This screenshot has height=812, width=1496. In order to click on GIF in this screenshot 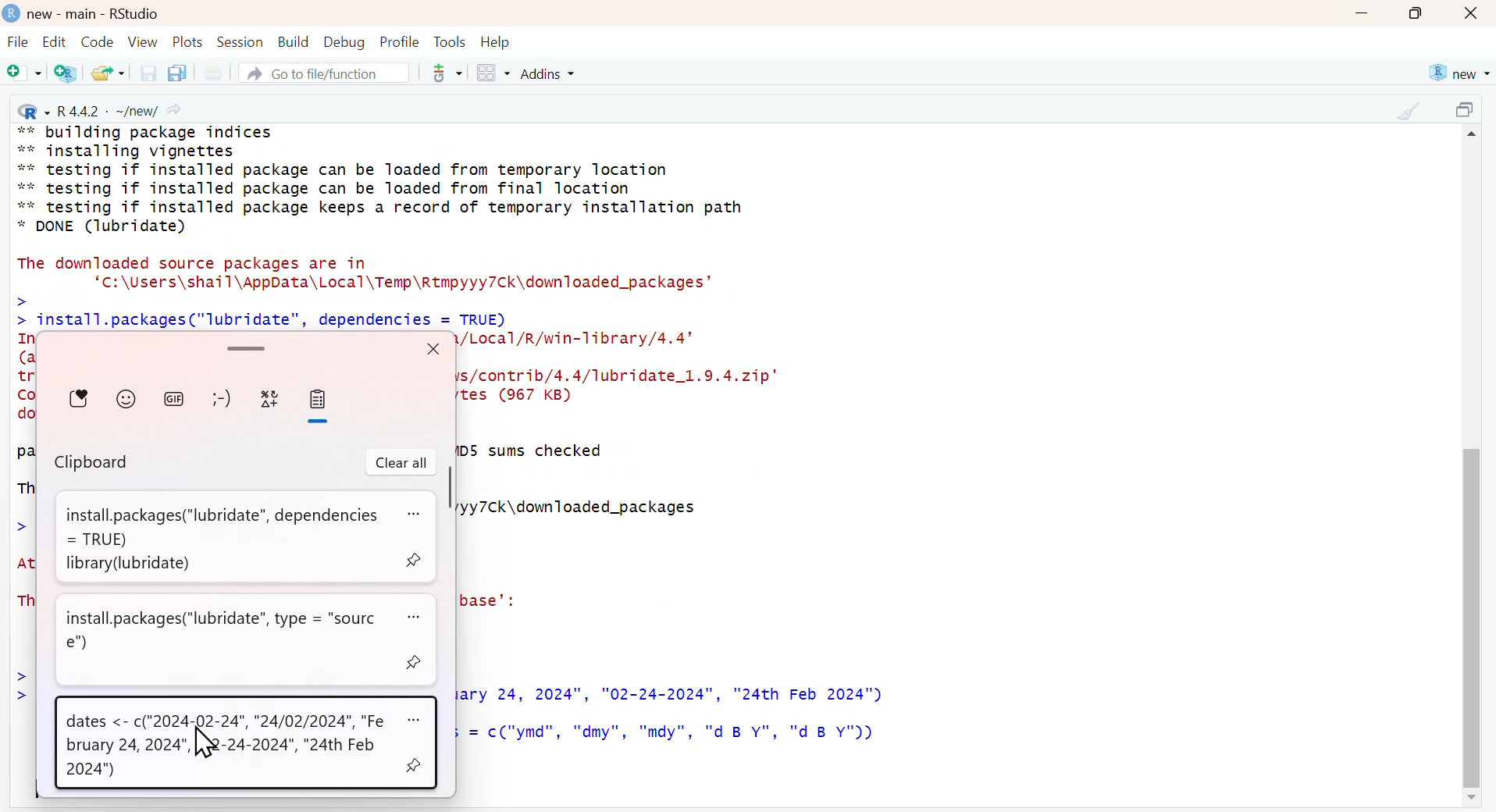, I will do `click(174, 397)`.